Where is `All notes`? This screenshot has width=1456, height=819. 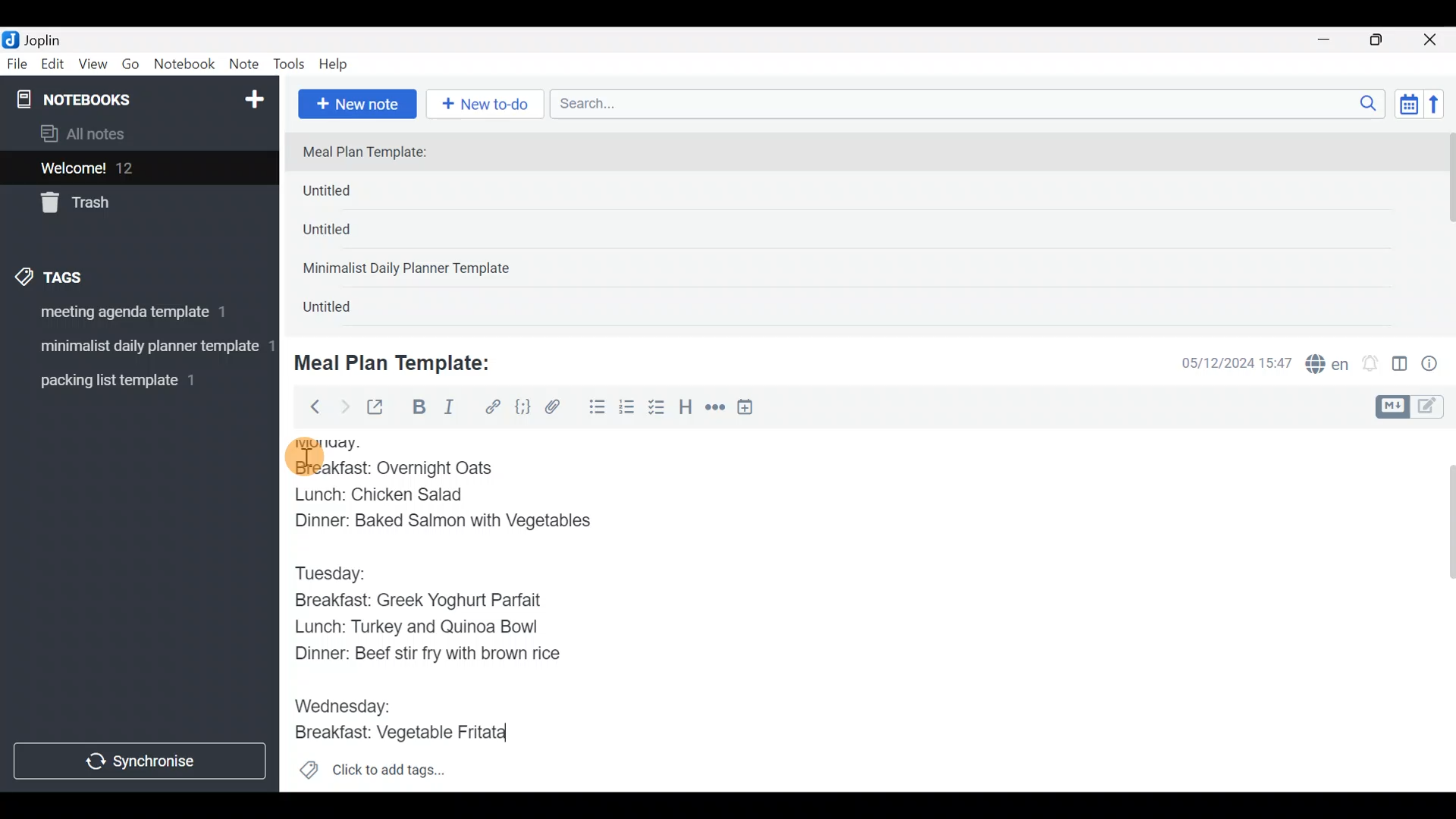 All notes is located at coordinates (136, 135).